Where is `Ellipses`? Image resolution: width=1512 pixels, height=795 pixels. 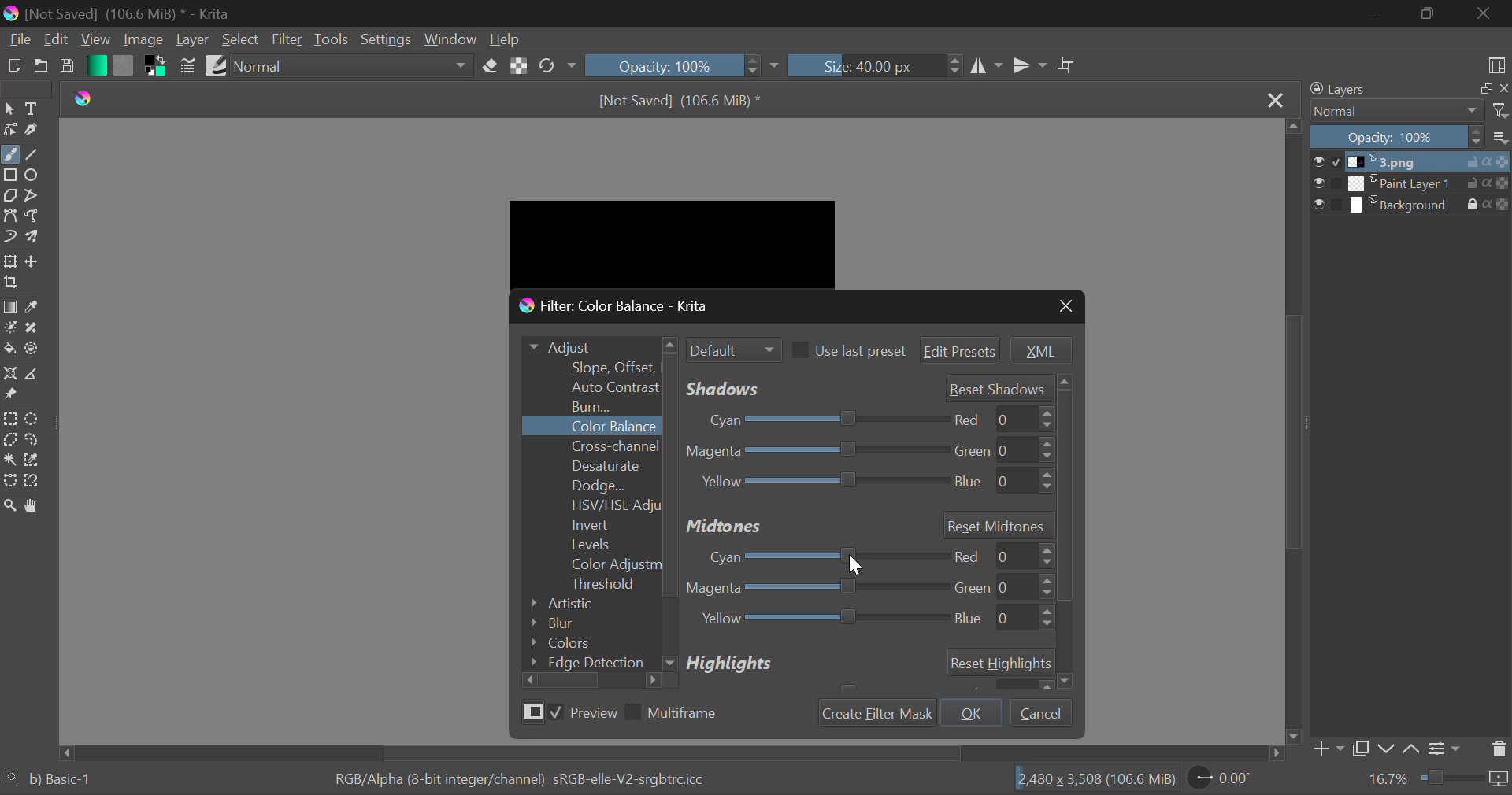 Ellipses is located at coordinates (35, 176).